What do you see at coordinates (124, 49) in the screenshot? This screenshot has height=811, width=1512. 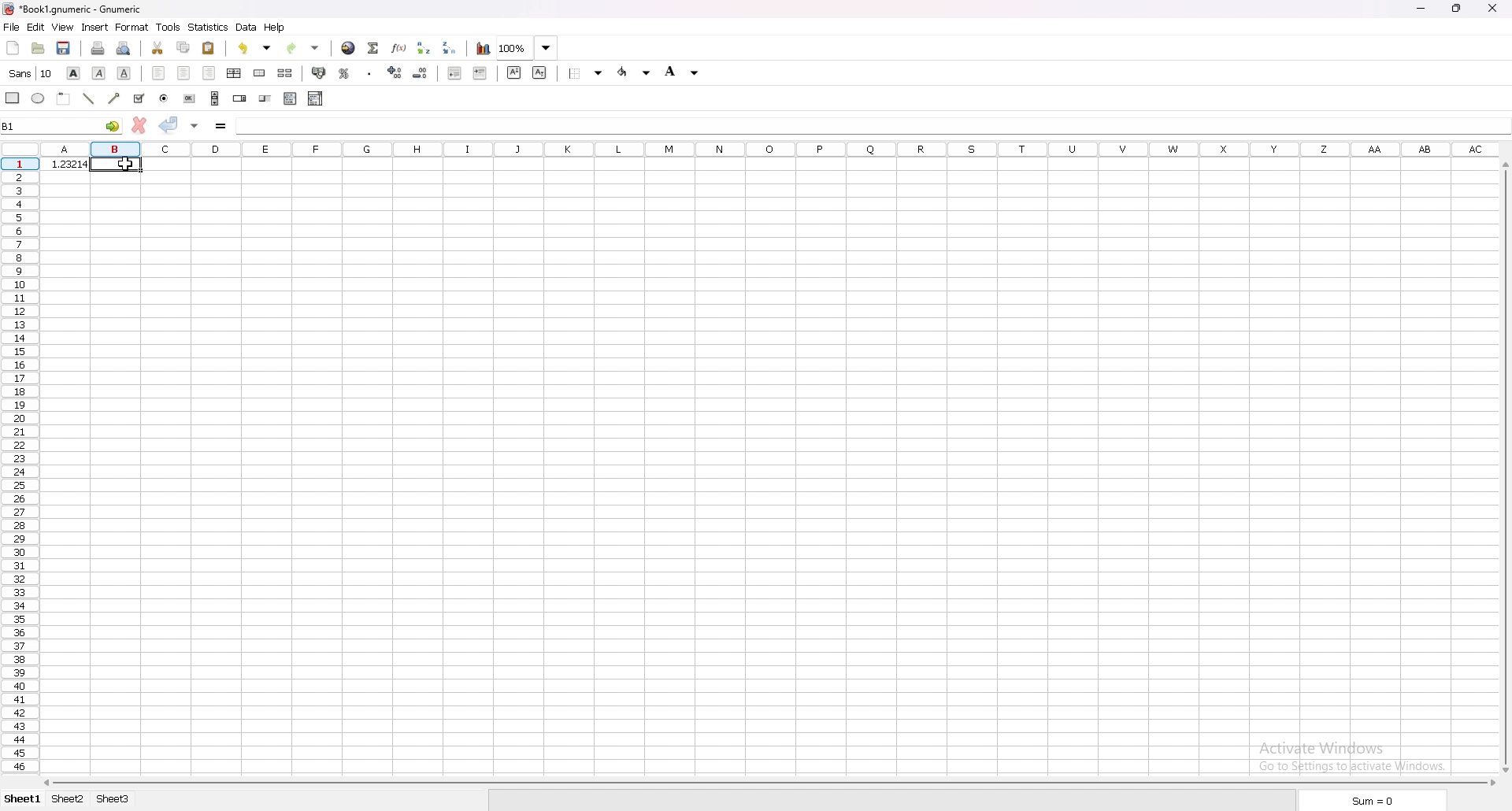 I see `print preview` at bounding box center [124, 49].